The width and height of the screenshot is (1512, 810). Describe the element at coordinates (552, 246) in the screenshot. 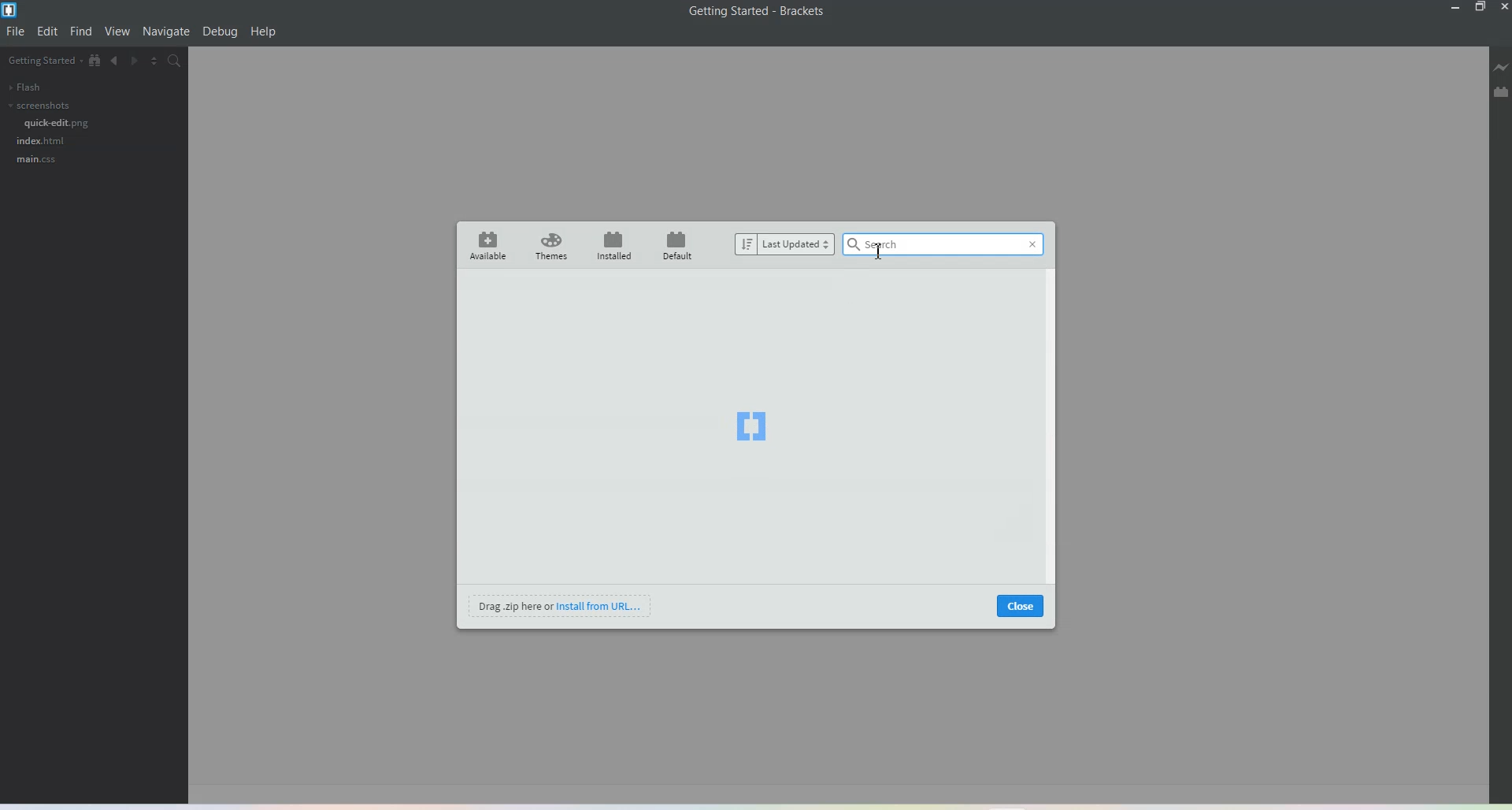

I see `Theme` at that location.